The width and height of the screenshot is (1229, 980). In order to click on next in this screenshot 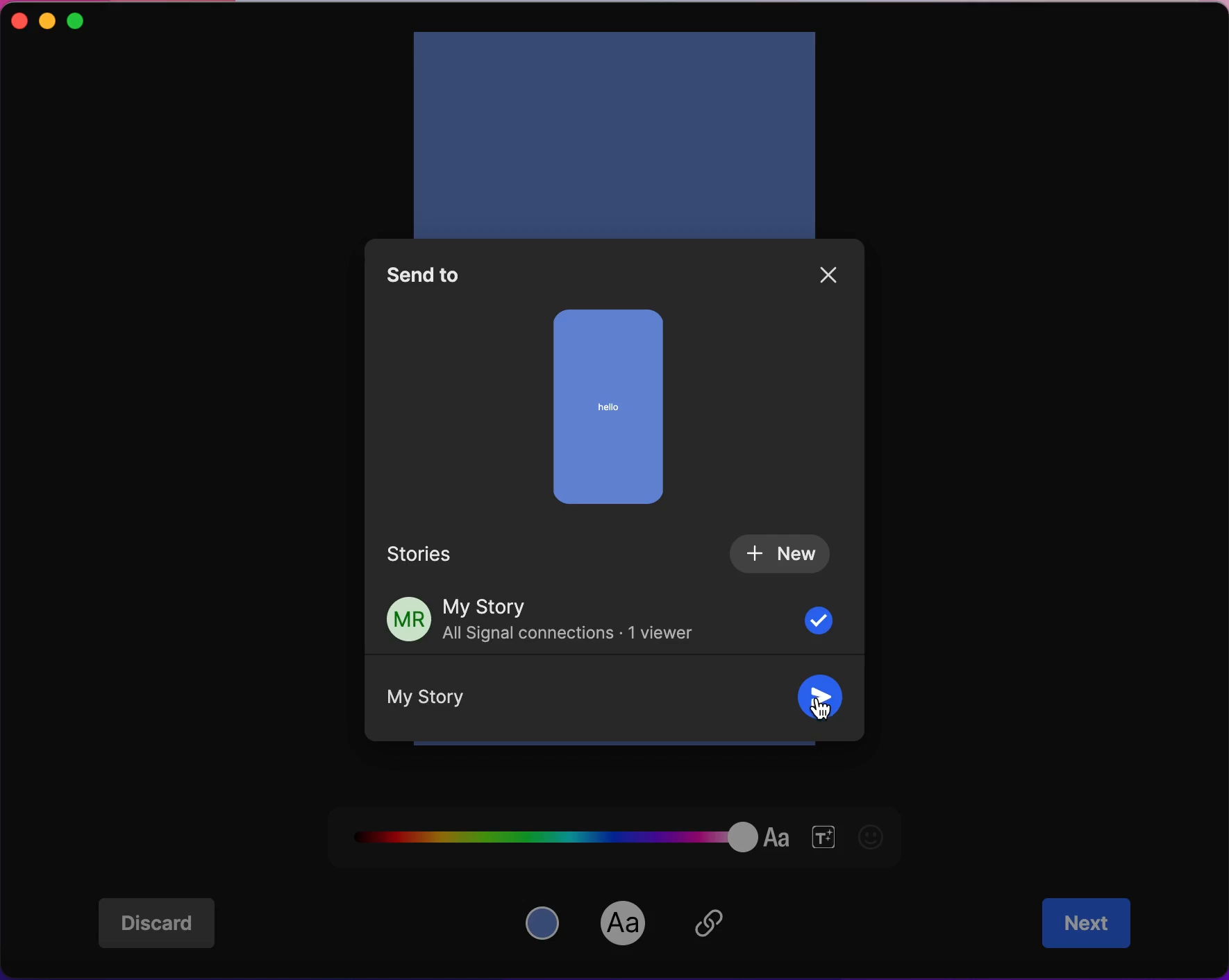, I will do `click(1089, 924)`.